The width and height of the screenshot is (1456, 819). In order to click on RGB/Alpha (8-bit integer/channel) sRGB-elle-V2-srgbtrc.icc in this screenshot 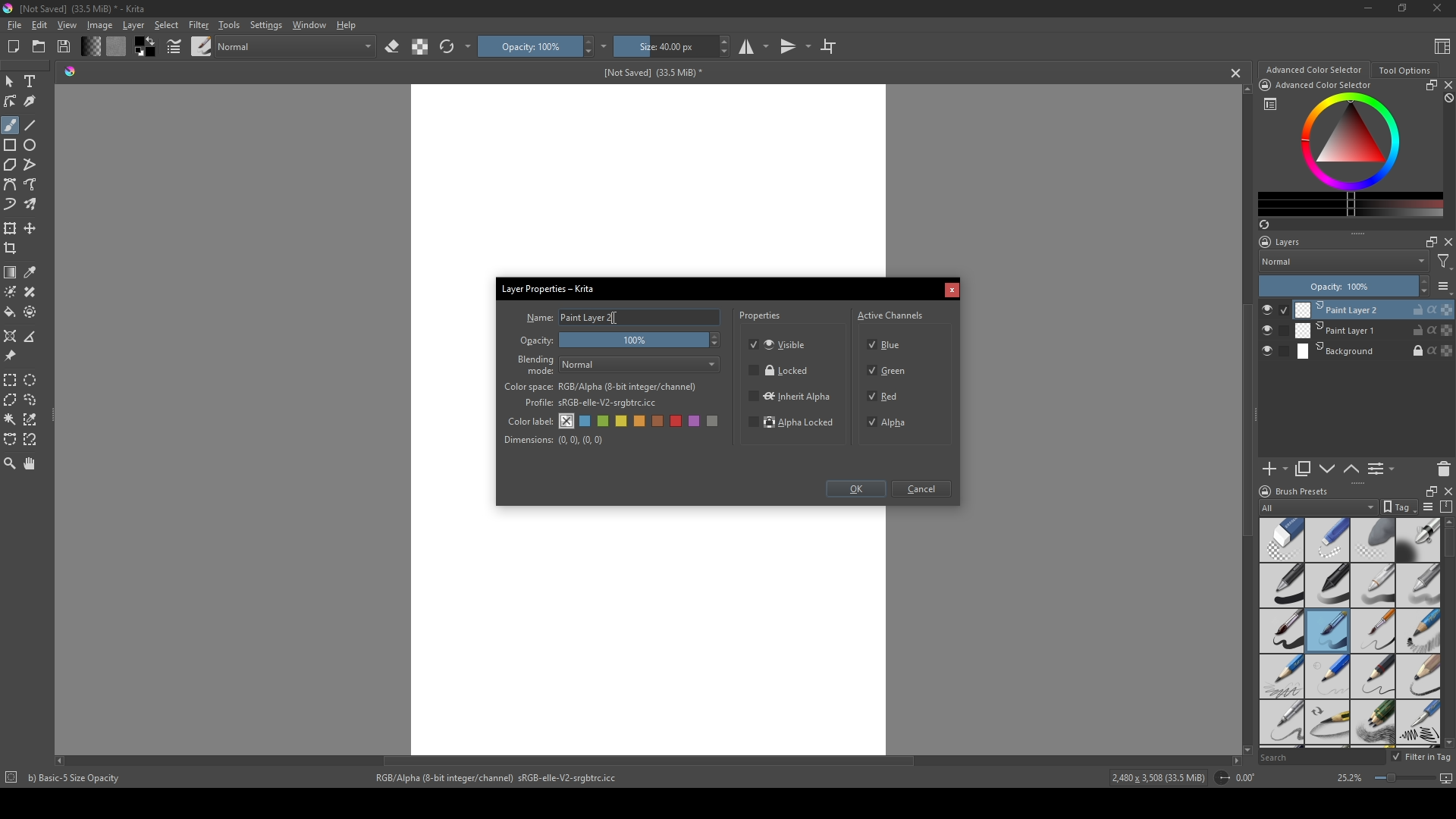, I will do `click(503, 778)`.